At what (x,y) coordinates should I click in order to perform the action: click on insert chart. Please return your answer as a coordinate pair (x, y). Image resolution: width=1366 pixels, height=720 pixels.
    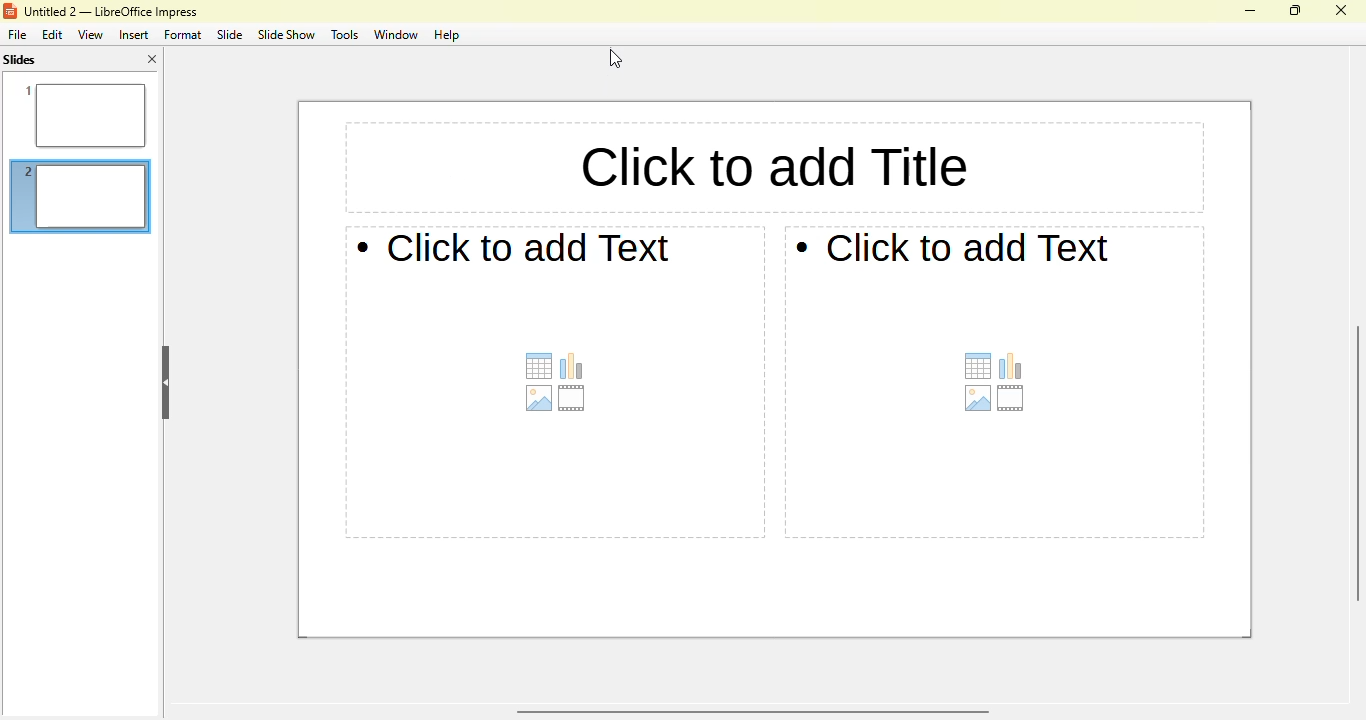
    Looking at the image, I should click on (572, 365).